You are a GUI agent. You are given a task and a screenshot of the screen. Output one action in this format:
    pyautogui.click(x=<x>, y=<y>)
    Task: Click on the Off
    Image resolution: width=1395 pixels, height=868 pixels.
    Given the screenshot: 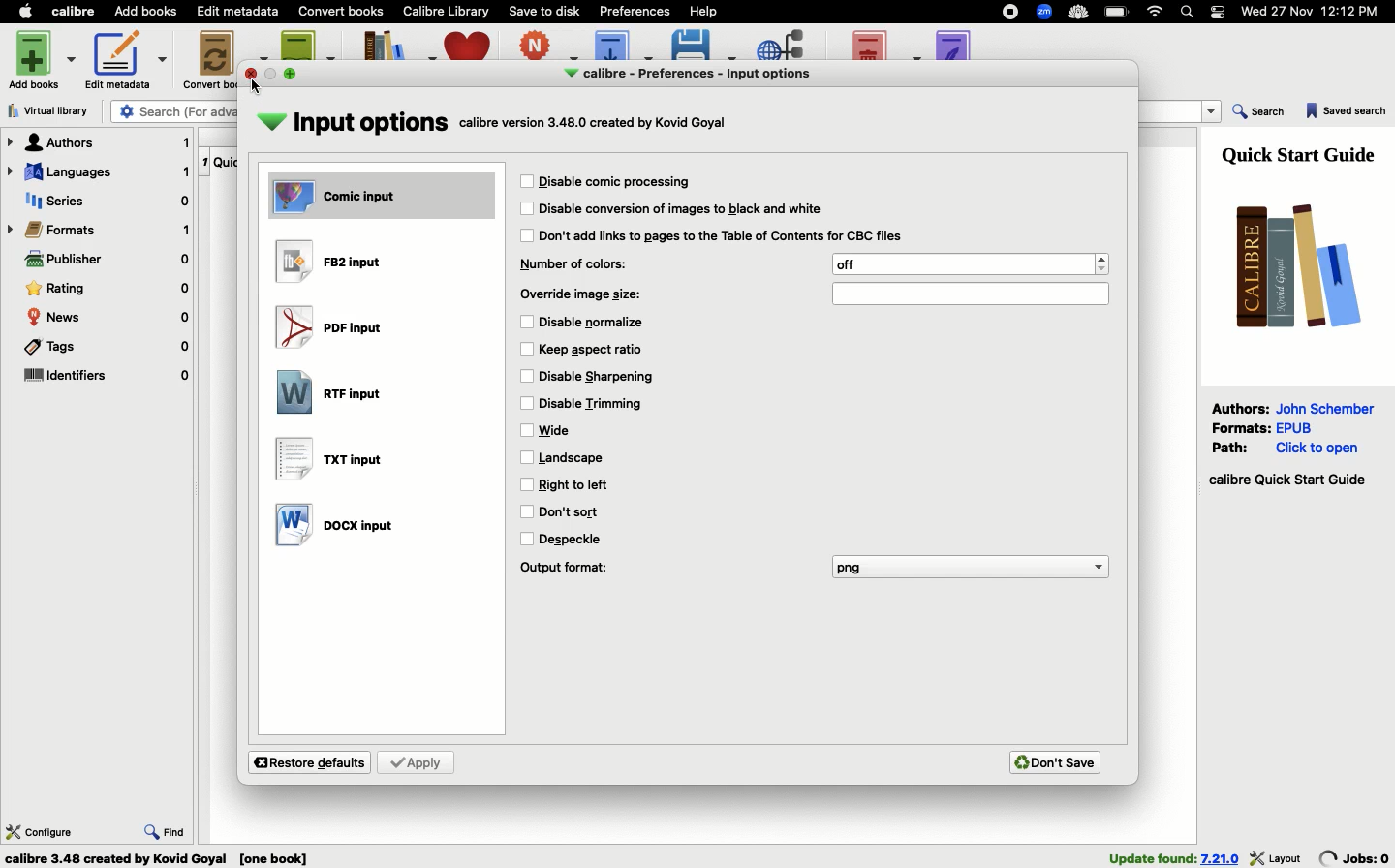 What is the action you would take?
    pyautogui.click(x=971, y=263)
    